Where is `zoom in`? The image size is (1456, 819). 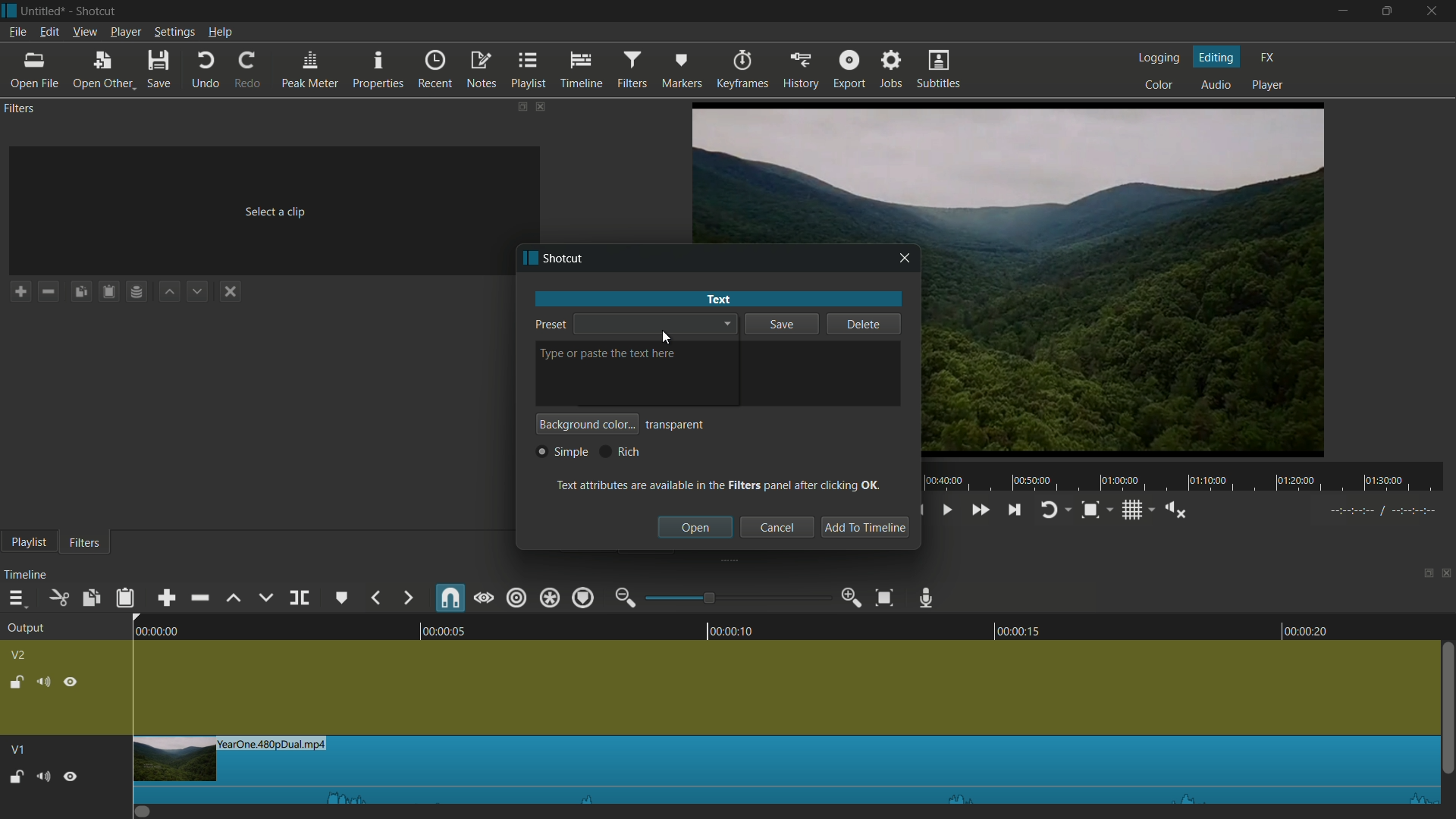
zoom in is located at coordinates (852, 598).